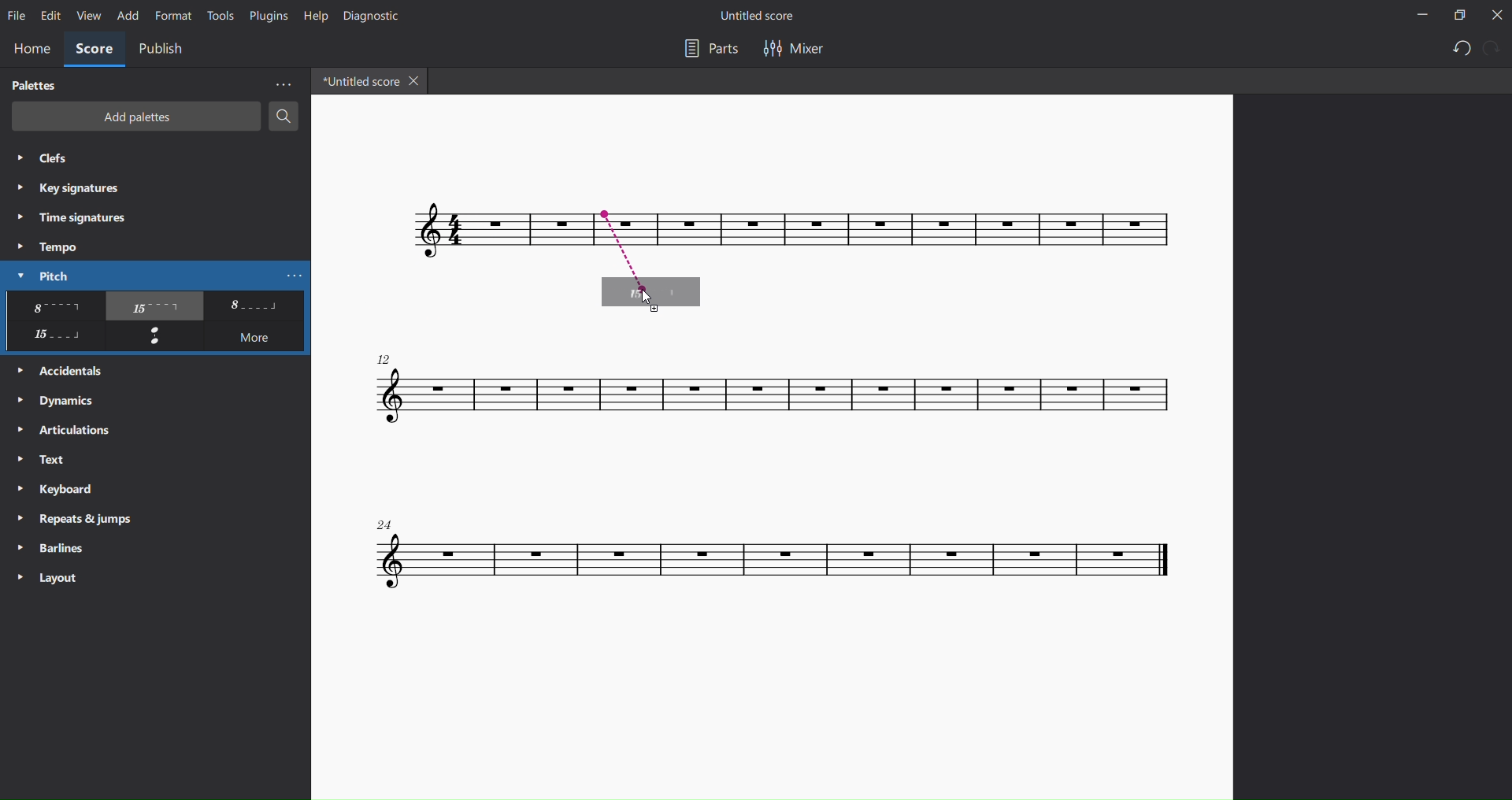  I want to click on plugins, so click(265, 15).